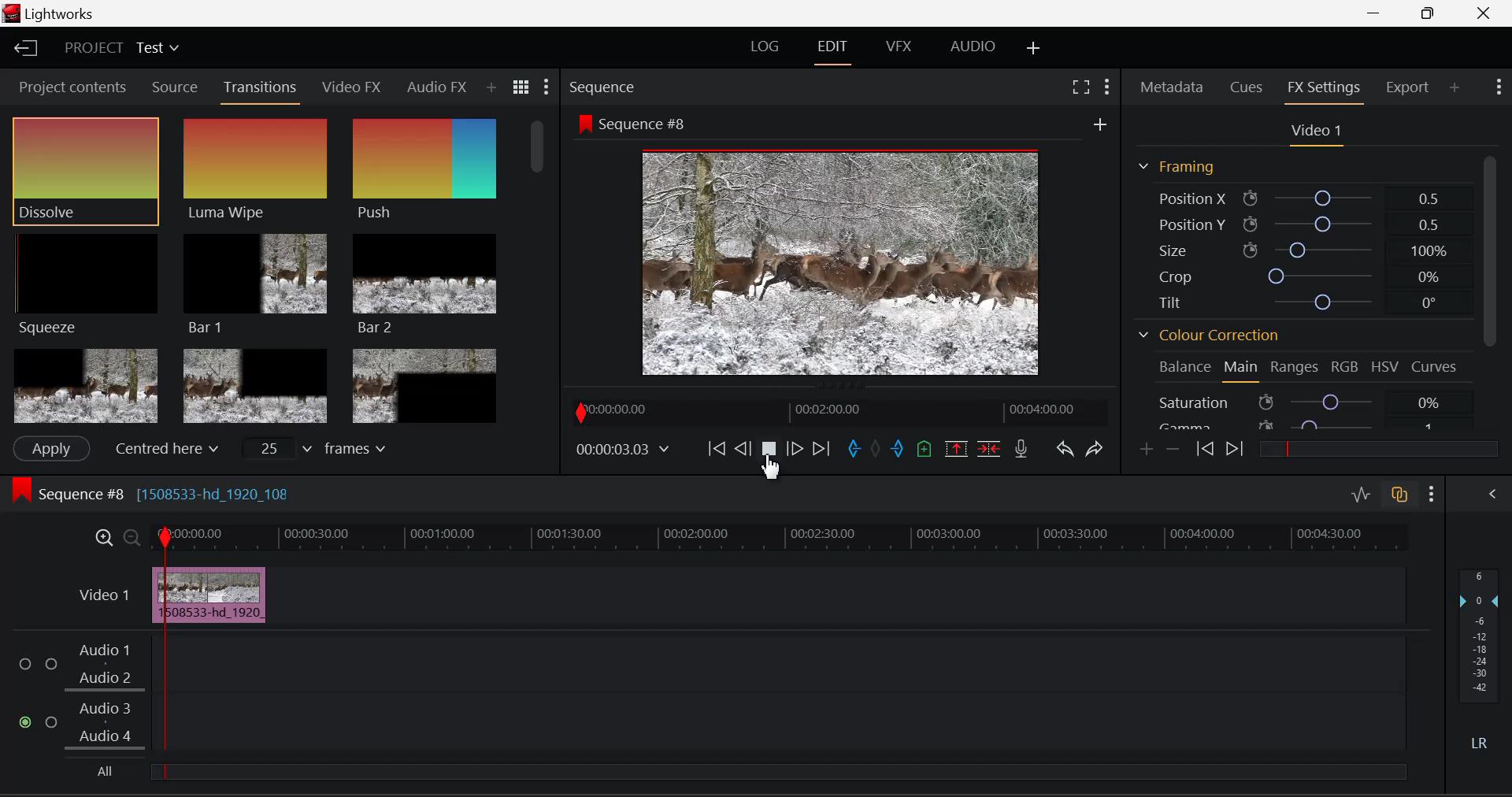 The height and width of the screenshot is (797, 1512). What do you see at coordinates (50, 13) in the screenshot?
I see `Window Title` at bounding box center [50, 13].